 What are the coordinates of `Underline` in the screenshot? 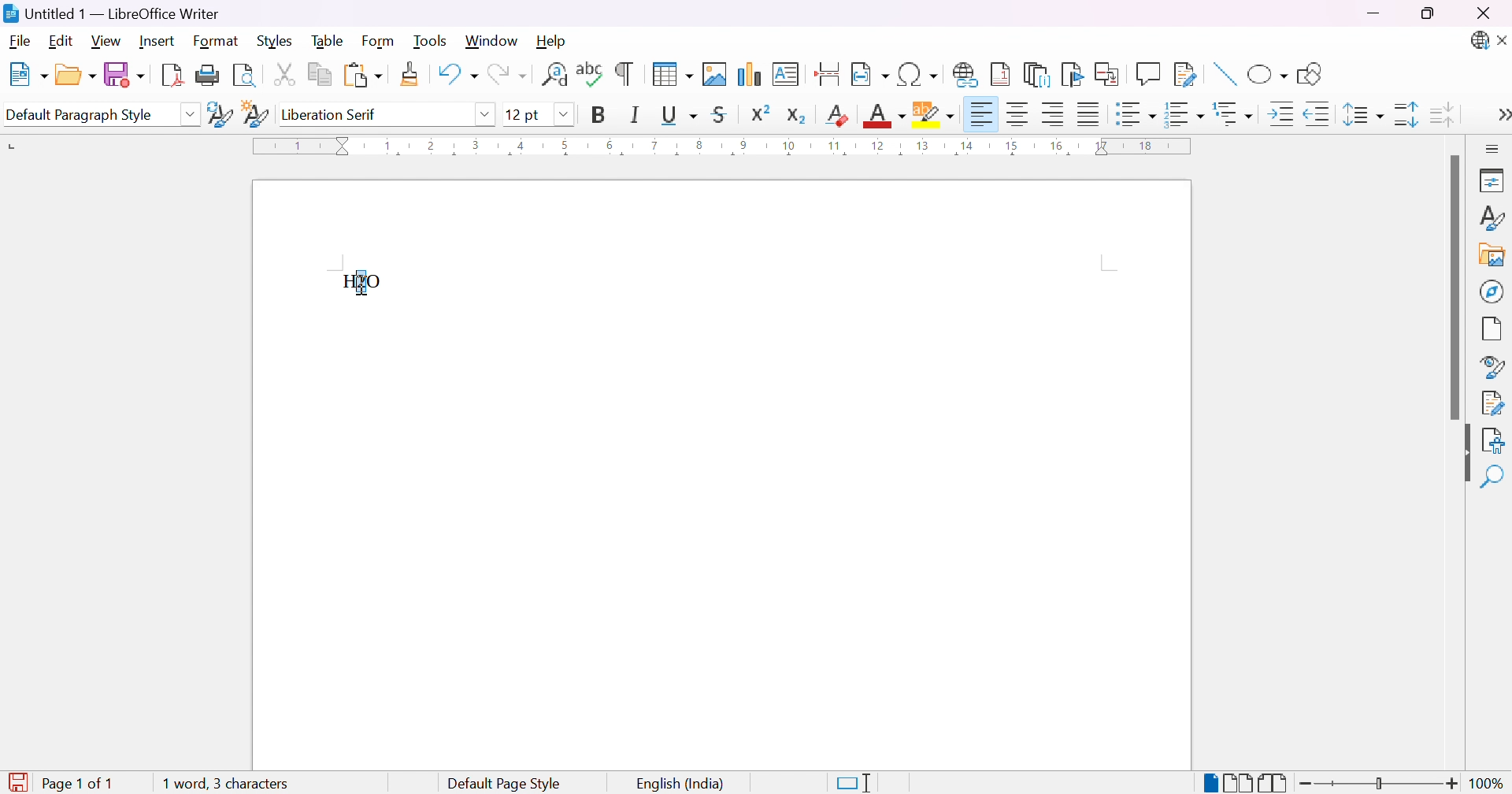 It's located at (678, 114).